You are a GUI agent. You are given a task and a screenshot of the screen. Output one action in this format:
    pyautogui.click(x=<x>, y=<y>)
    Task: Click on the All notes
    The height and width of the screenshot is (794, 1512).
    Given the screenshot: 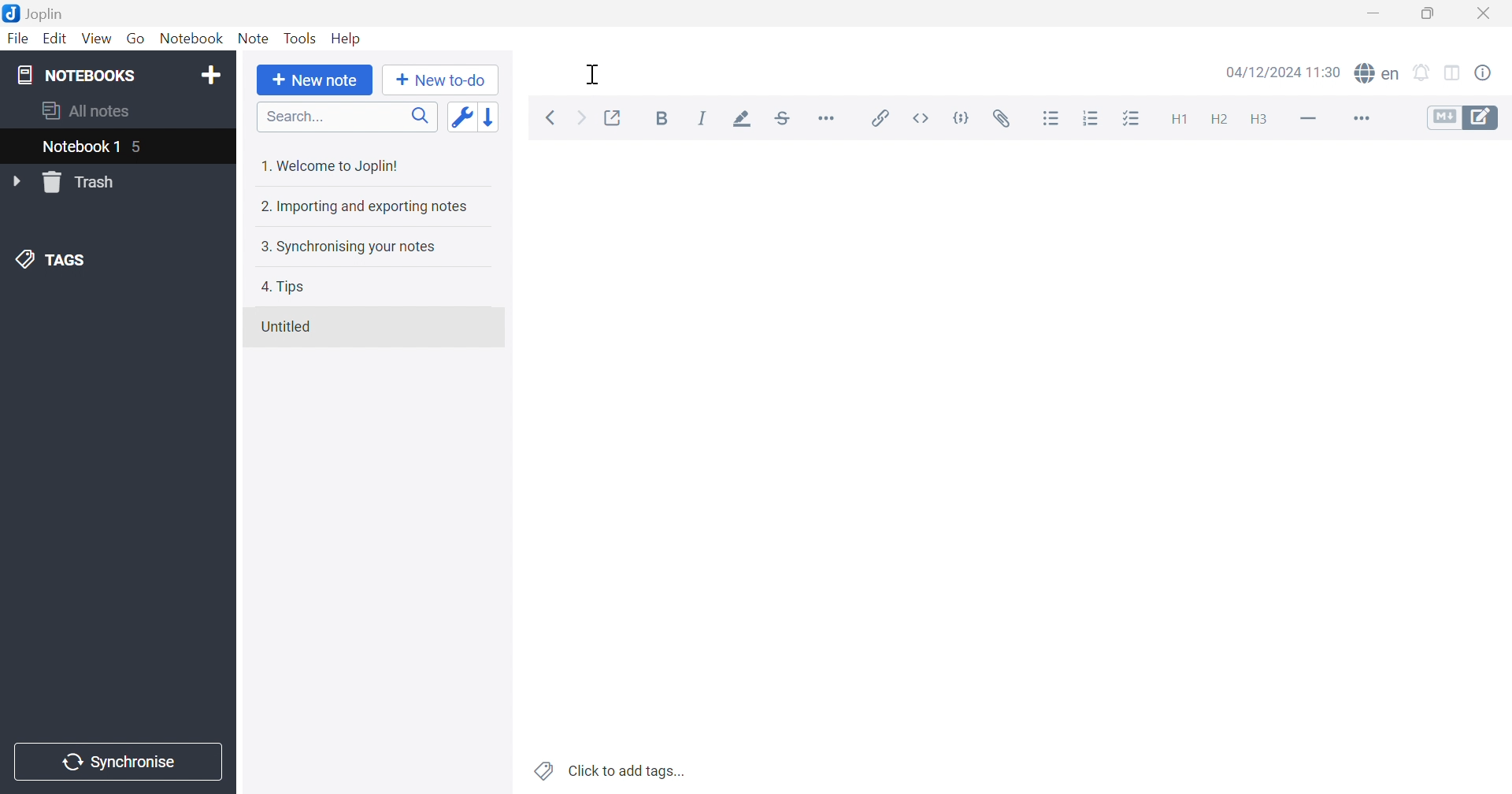 What is the action you would take?
    pyautogui.click(x=83, y=112)
    